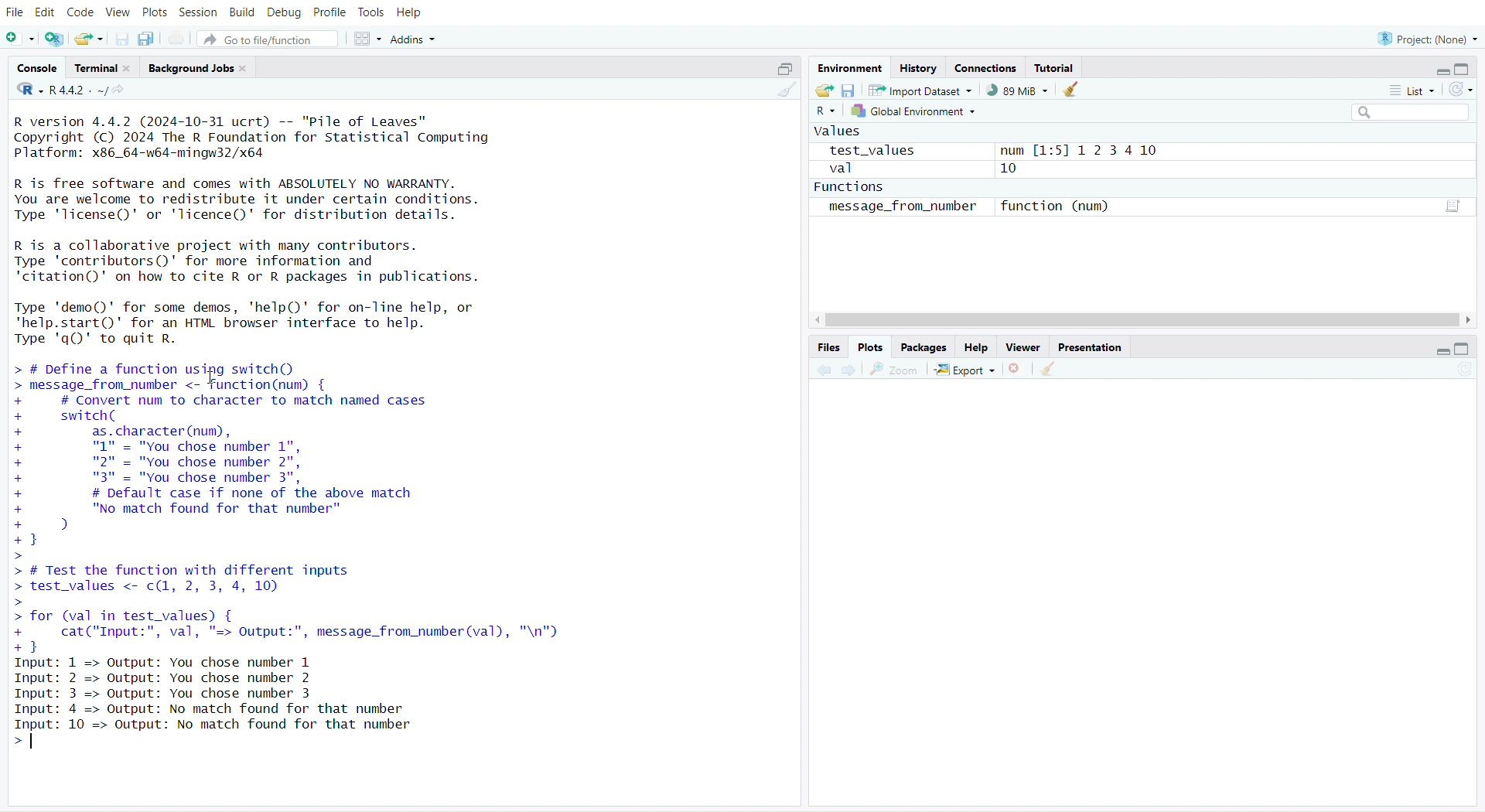  What do you see at coordinates (1144, 319) in the screenshot?
I see `Cursor` at bounding box center [1144, 319].